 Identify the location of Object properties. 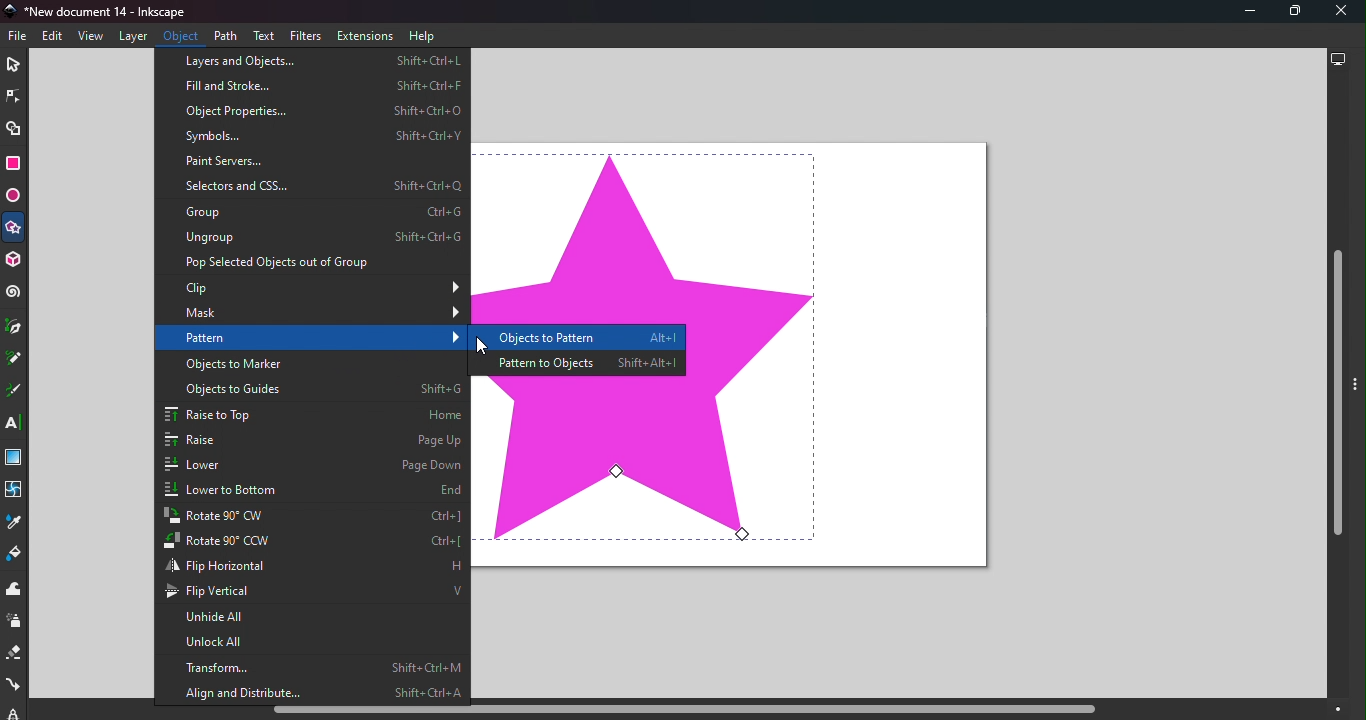
(326, 110).